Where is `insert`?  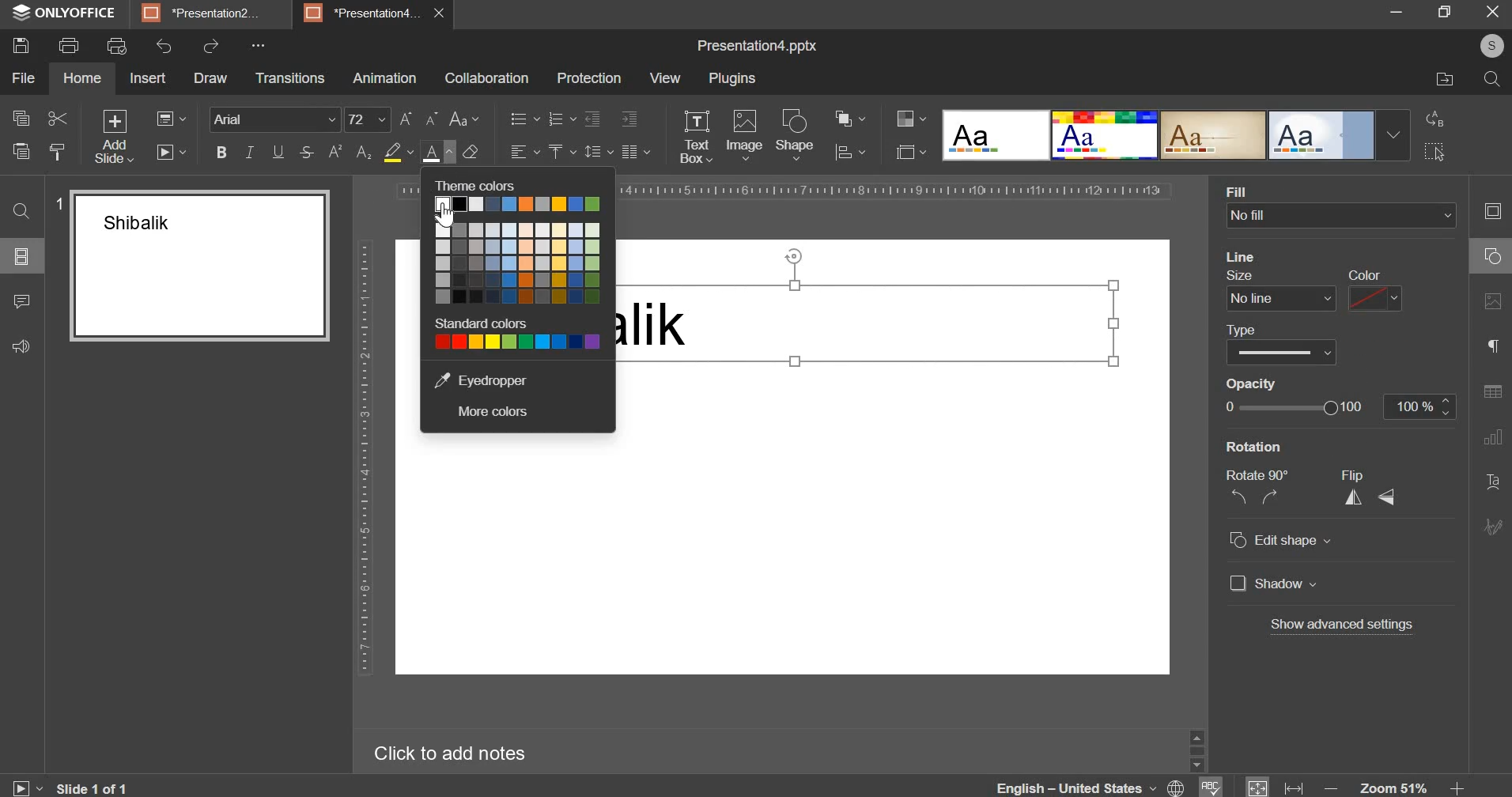
insert is located at coordinates (149, 77).